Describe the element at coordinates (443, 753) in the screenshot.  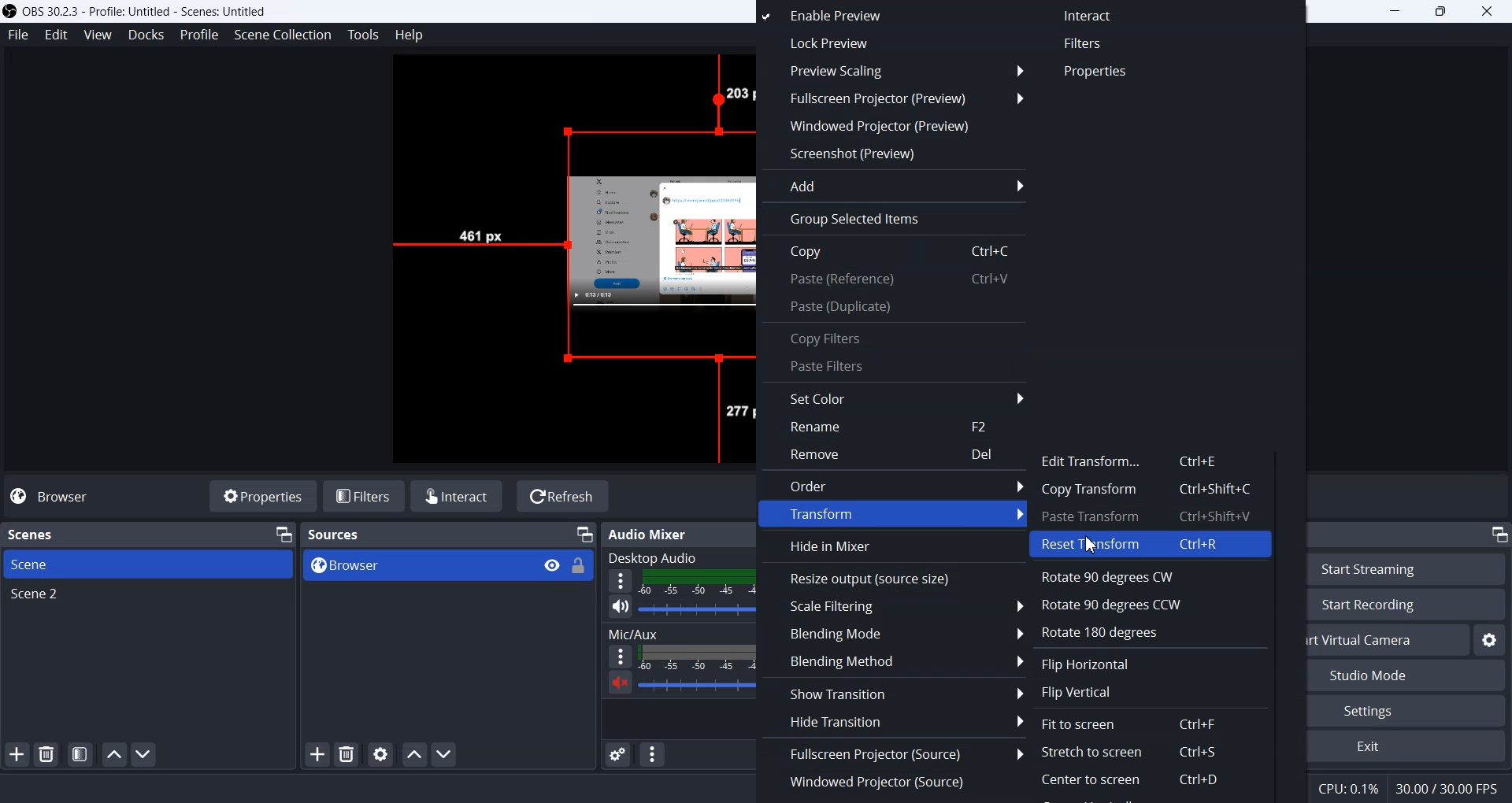
I see `Move sources down` at that location.